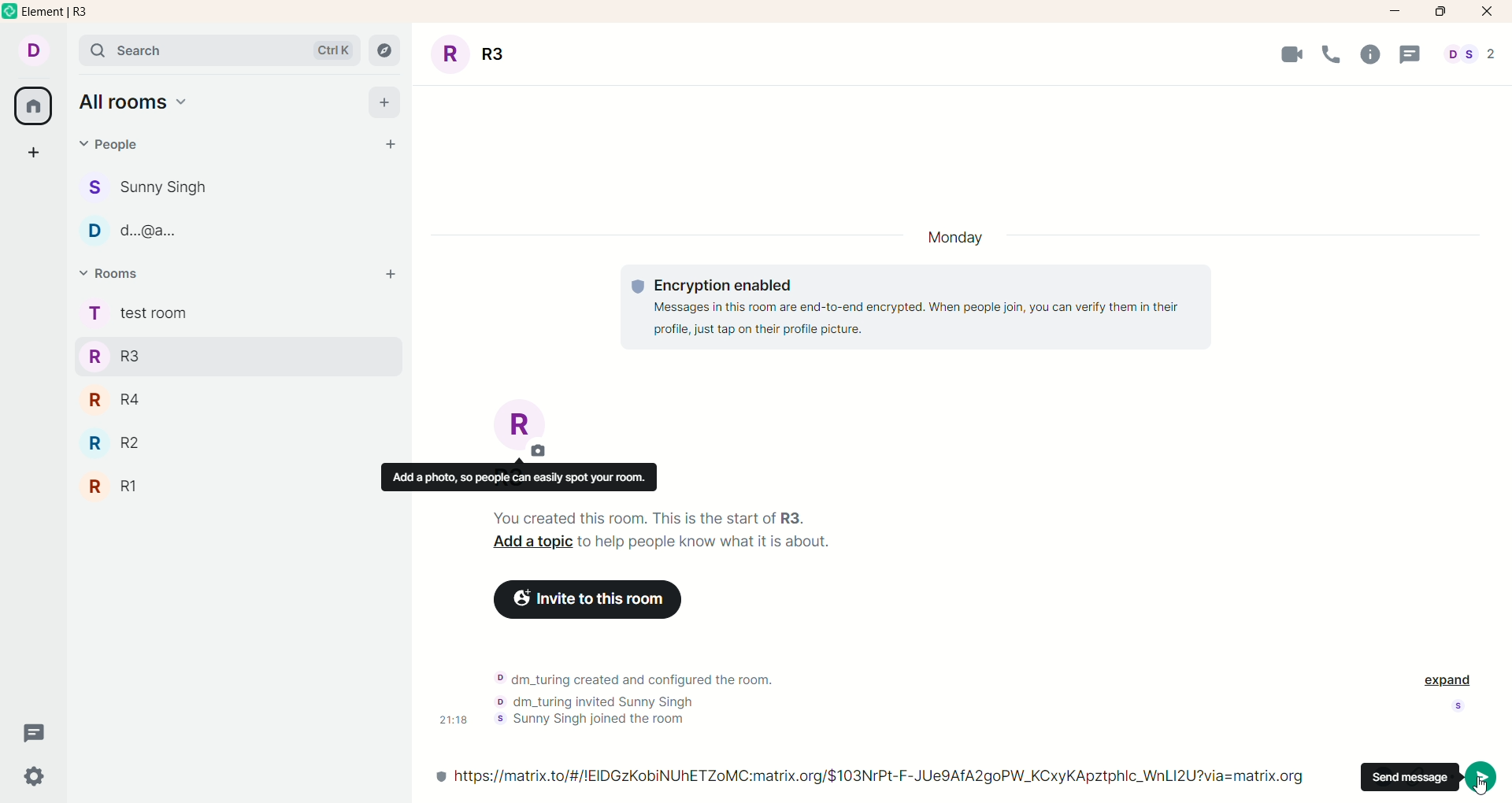  I want to click on Info, so click(1371, 51).